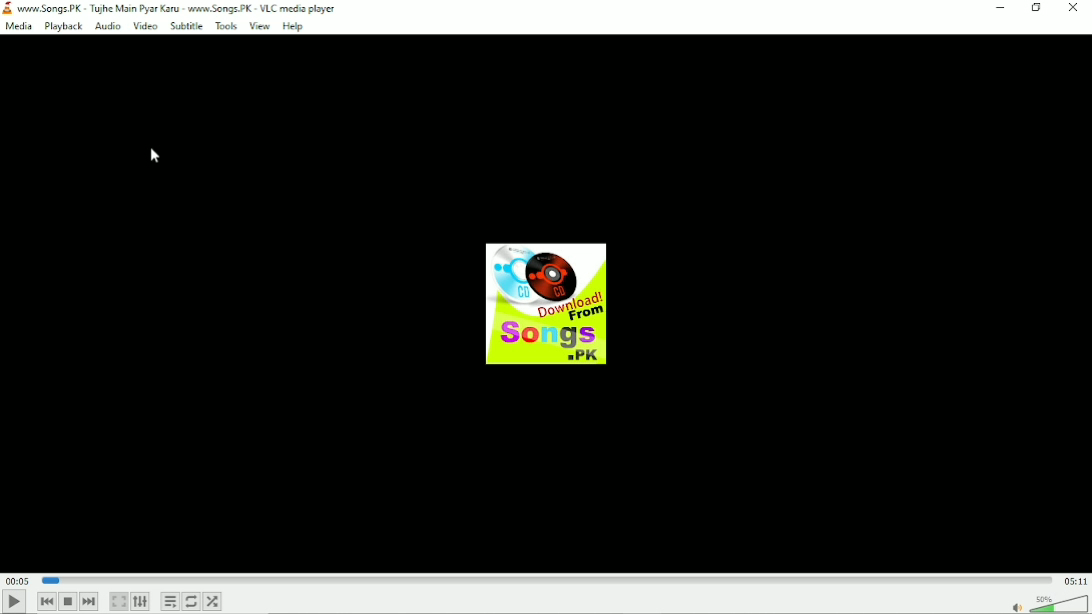  Describe the element at coordinates (144, 26) in the screenshot. I see `Video` at that location.